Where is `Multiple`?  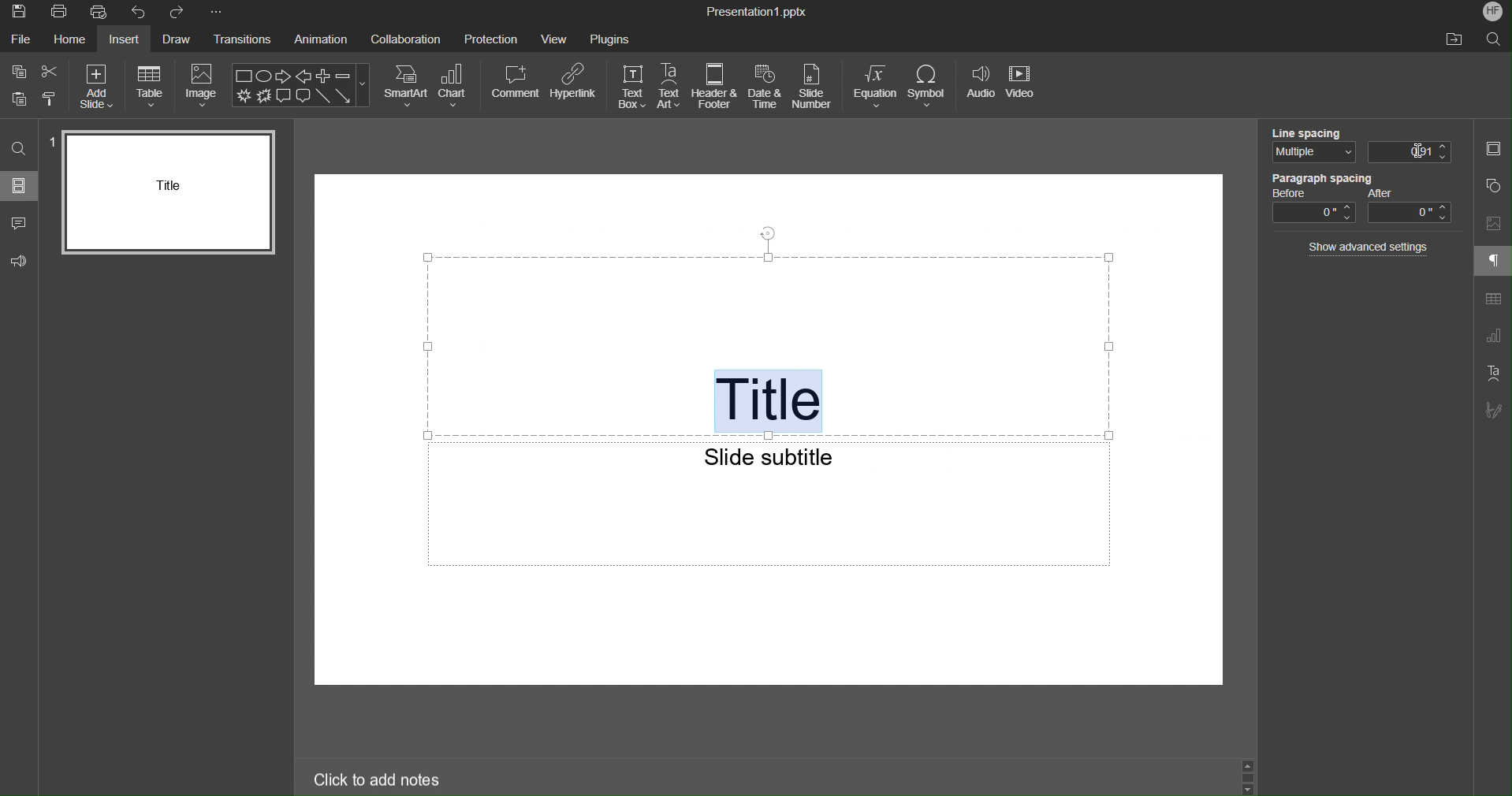
Multiple is located at coordinates (1309, 154).